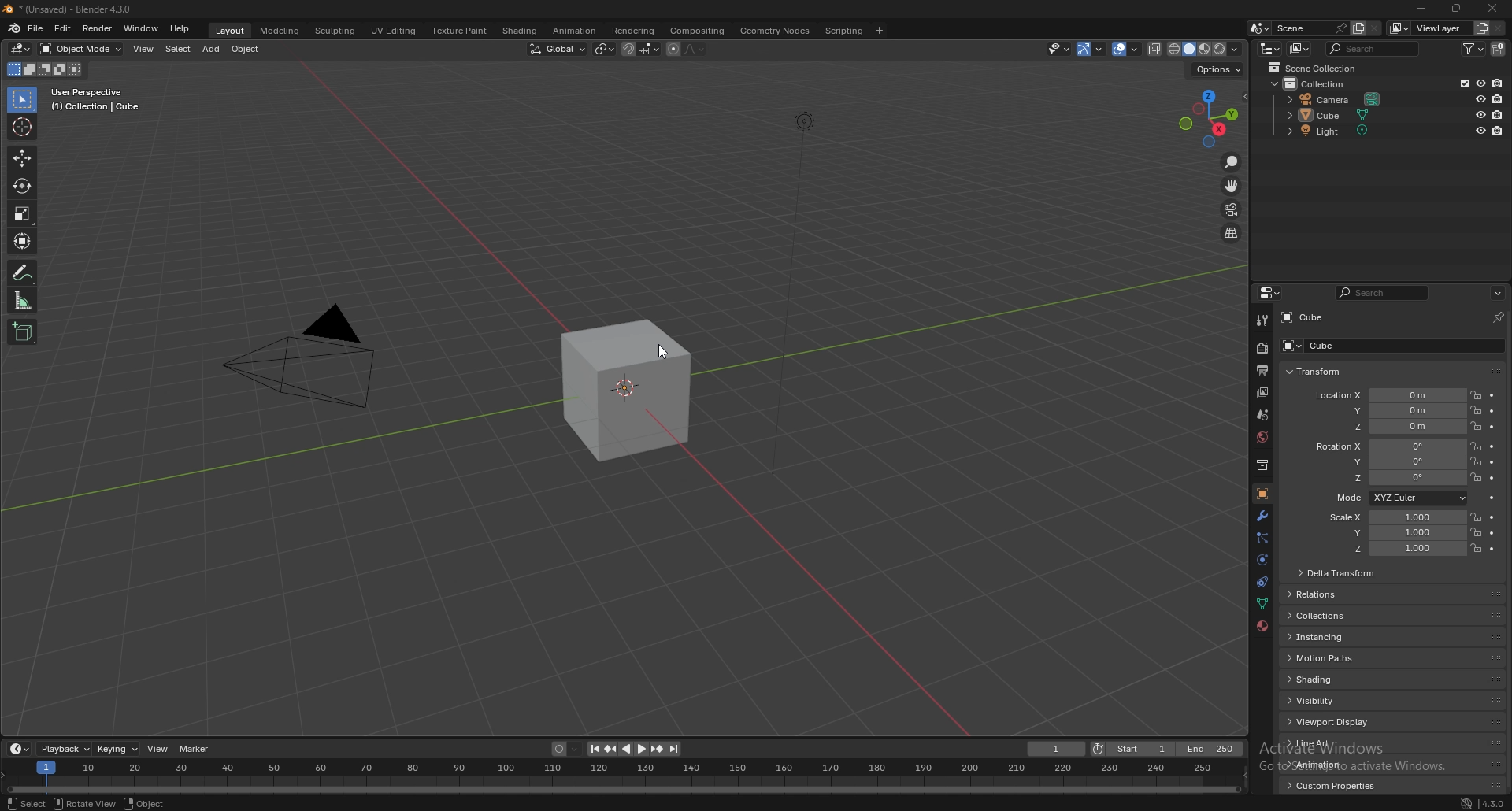 This screenshot has width=1512, height=811. What do you see at coordinates (1493, 447) in the screenshot?
I see `animate property` at bounding box center [1493, 447].